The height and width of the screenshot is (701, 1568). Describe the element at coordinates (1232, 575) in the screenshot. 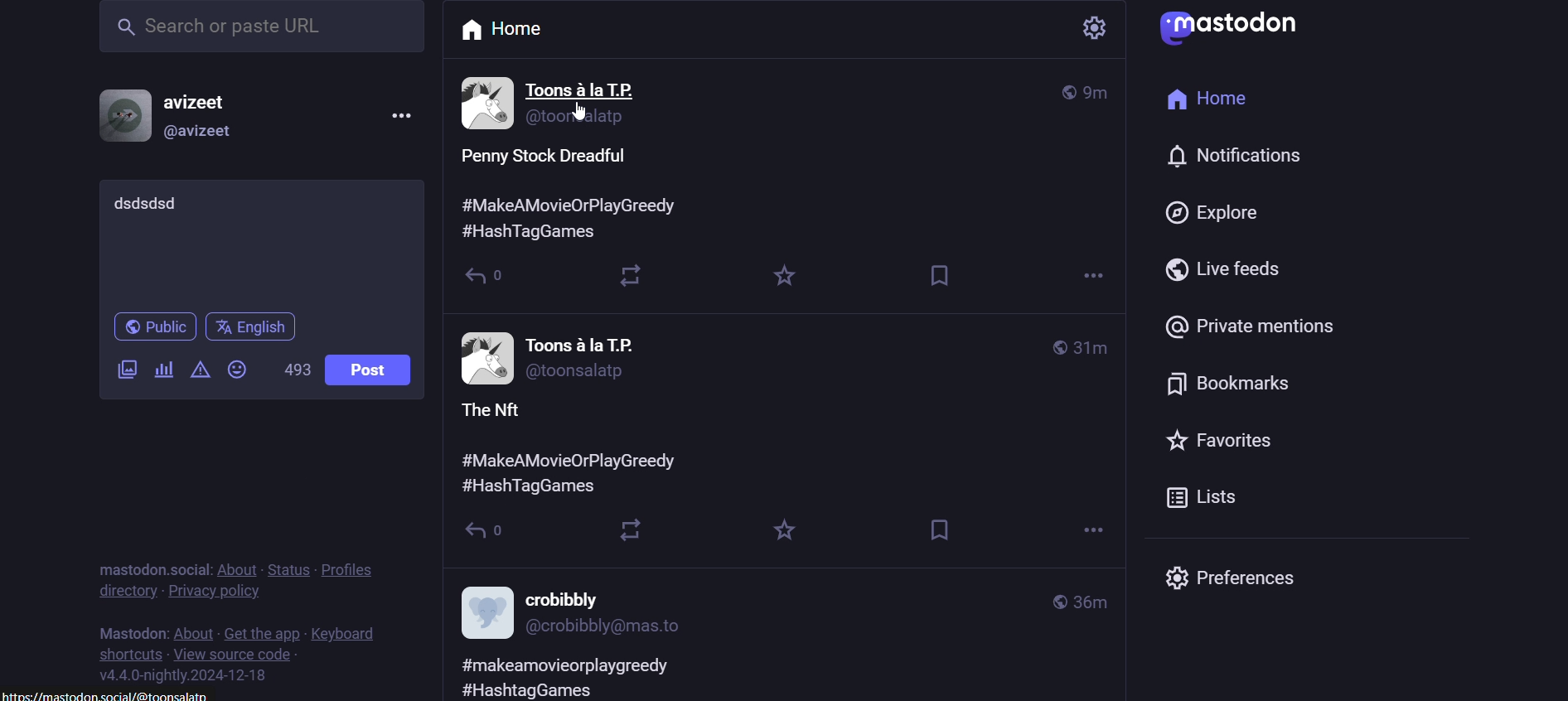

I see `preferences` at that location.